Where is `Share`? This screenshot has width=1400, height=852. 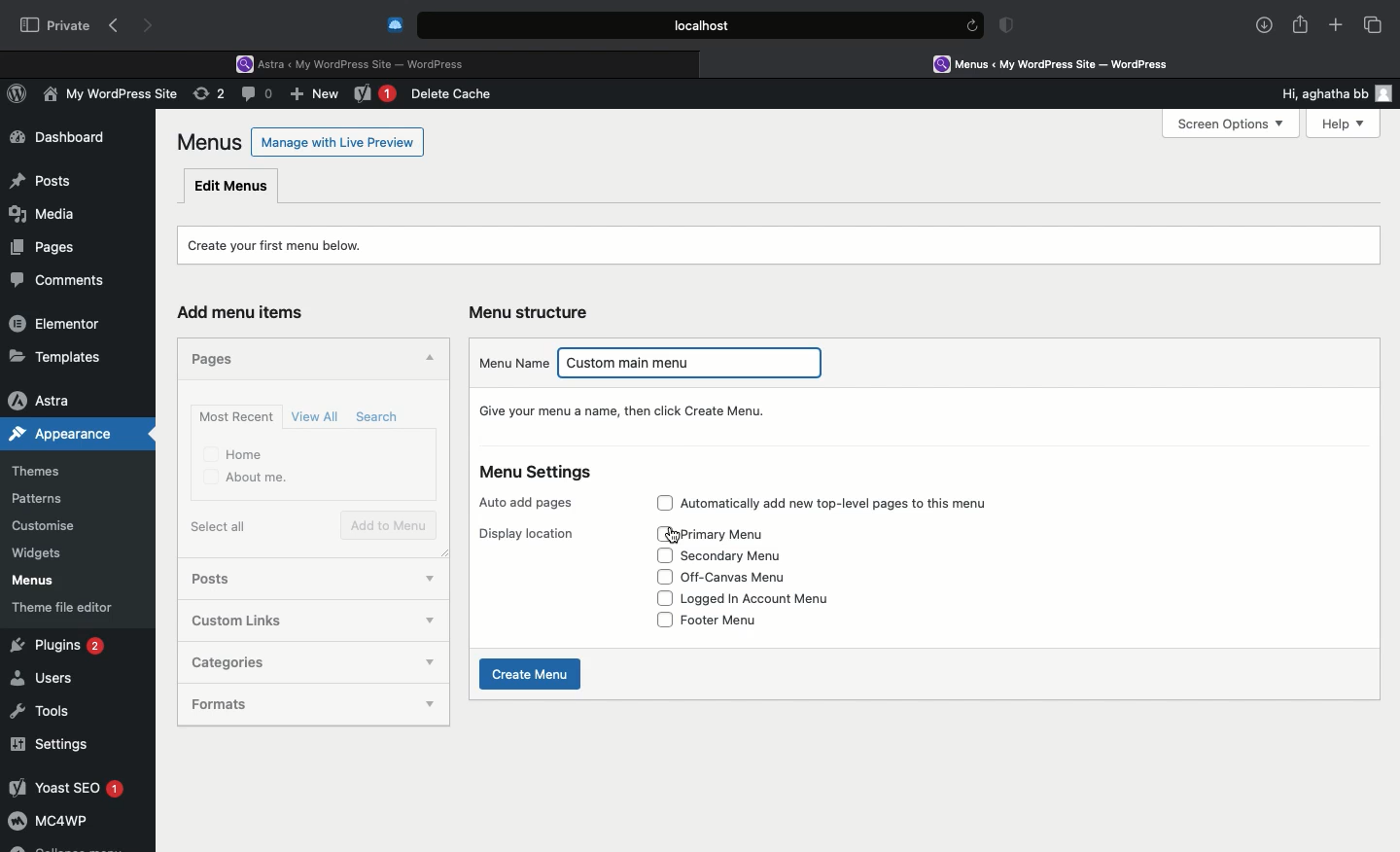 Share is located at coordinates (1301, 25).